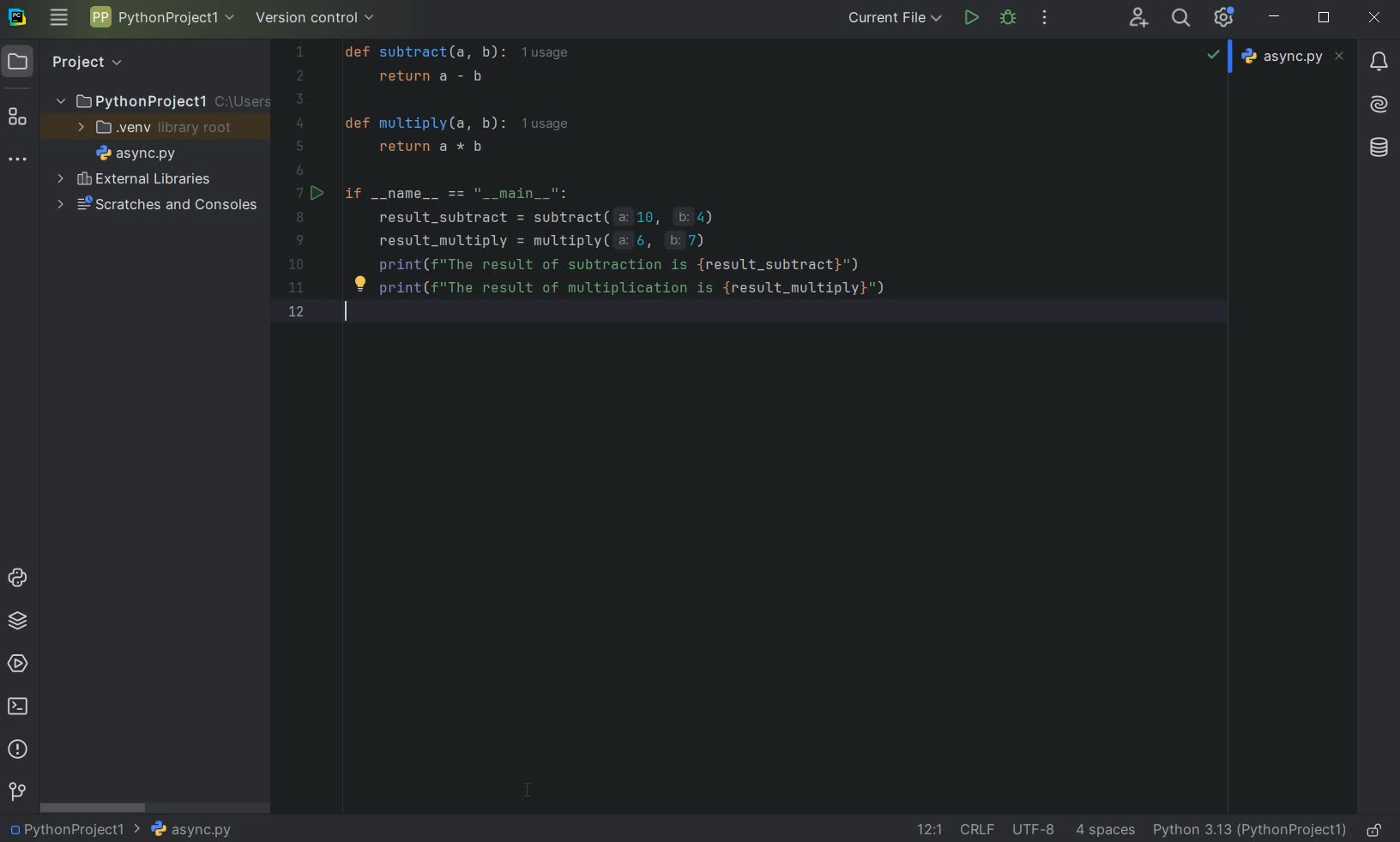  Describe the element at coordinates (18, 60) in the screenshot. I see `project icon` at that location.